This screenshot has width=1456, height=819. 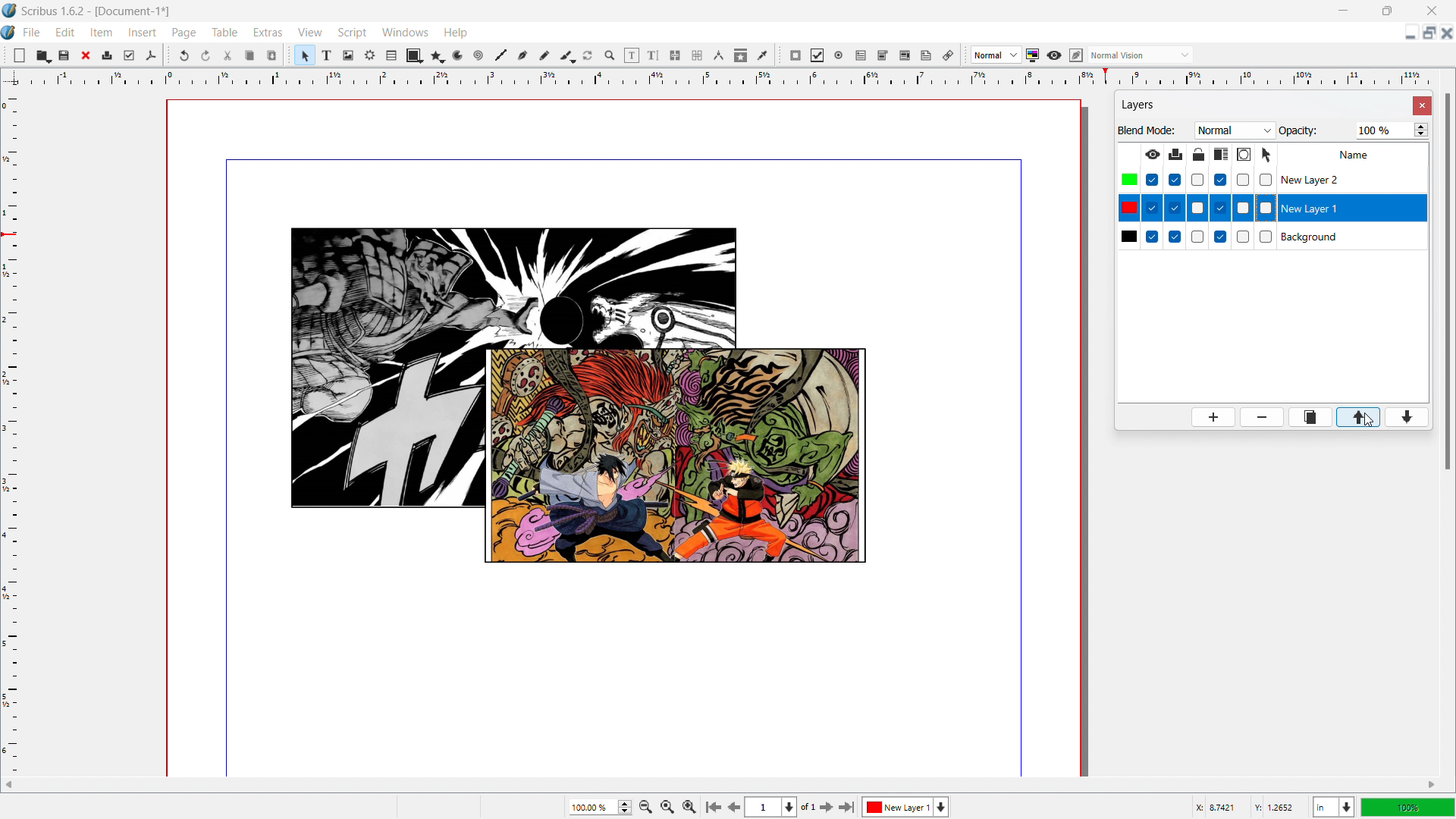 What do you see at coordinates (1345, 11) in the screenshot?
I see `minimize window` at bounding box center [1345, 11].